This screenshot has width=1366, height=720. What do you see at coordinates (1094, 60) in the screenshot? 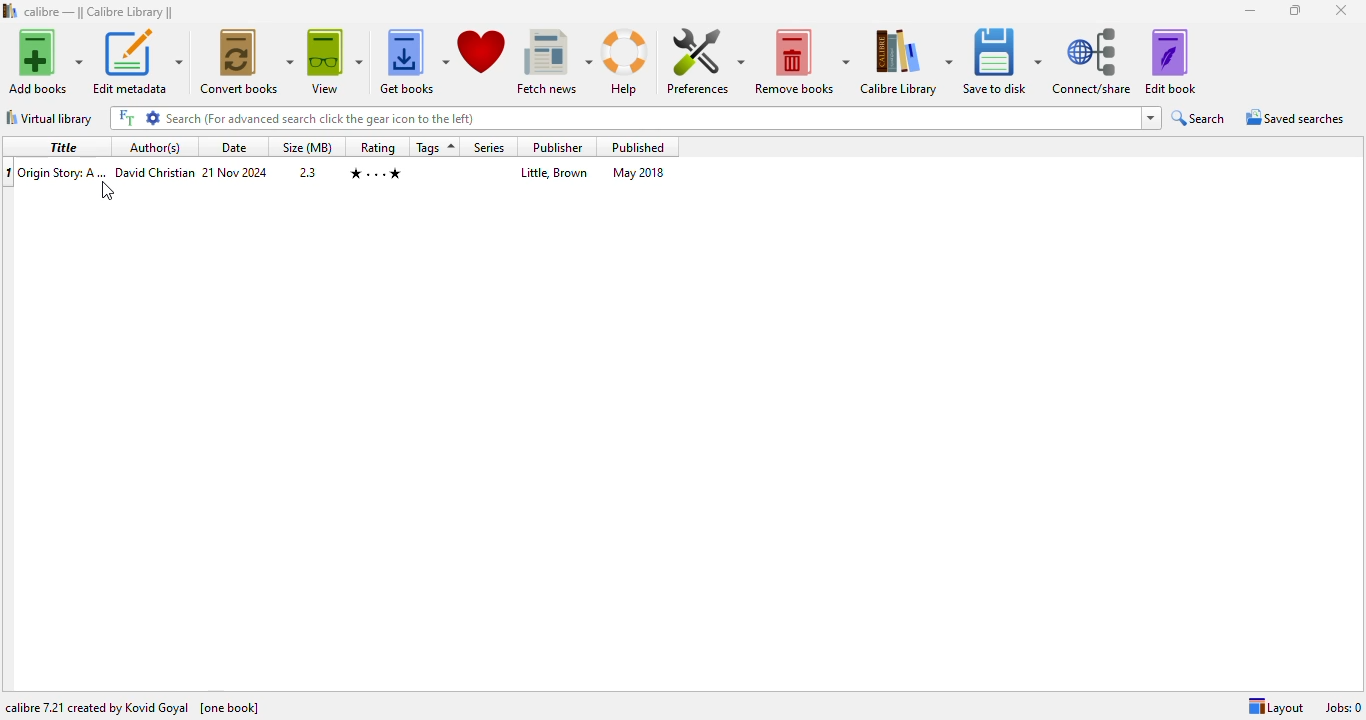
I see `connect/share` at bounding box center [1094, 60].